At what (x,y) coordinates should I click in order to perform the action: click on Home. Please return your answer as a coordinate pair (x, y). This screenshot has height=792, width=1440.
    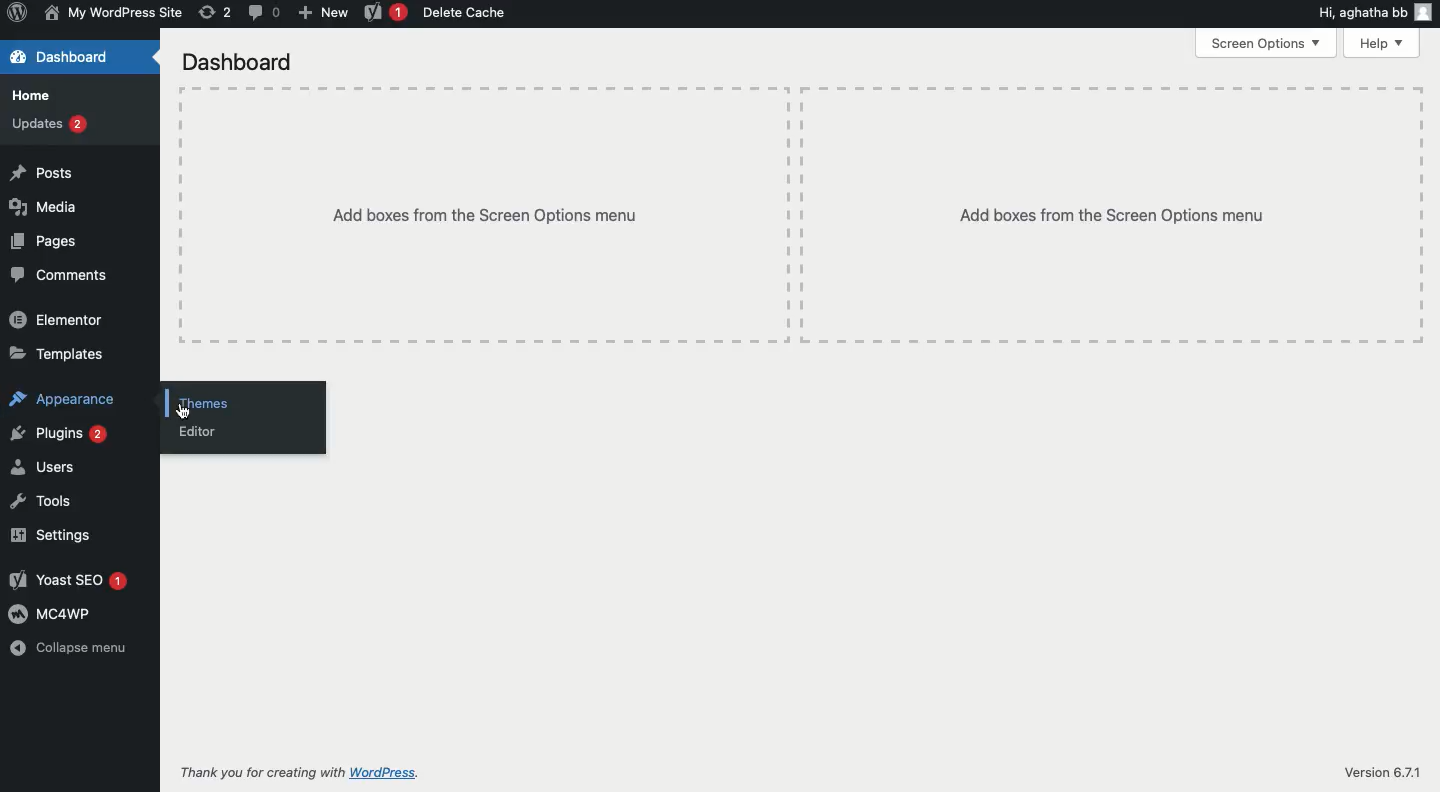
    Looking at the image, I should click on (31, 95).